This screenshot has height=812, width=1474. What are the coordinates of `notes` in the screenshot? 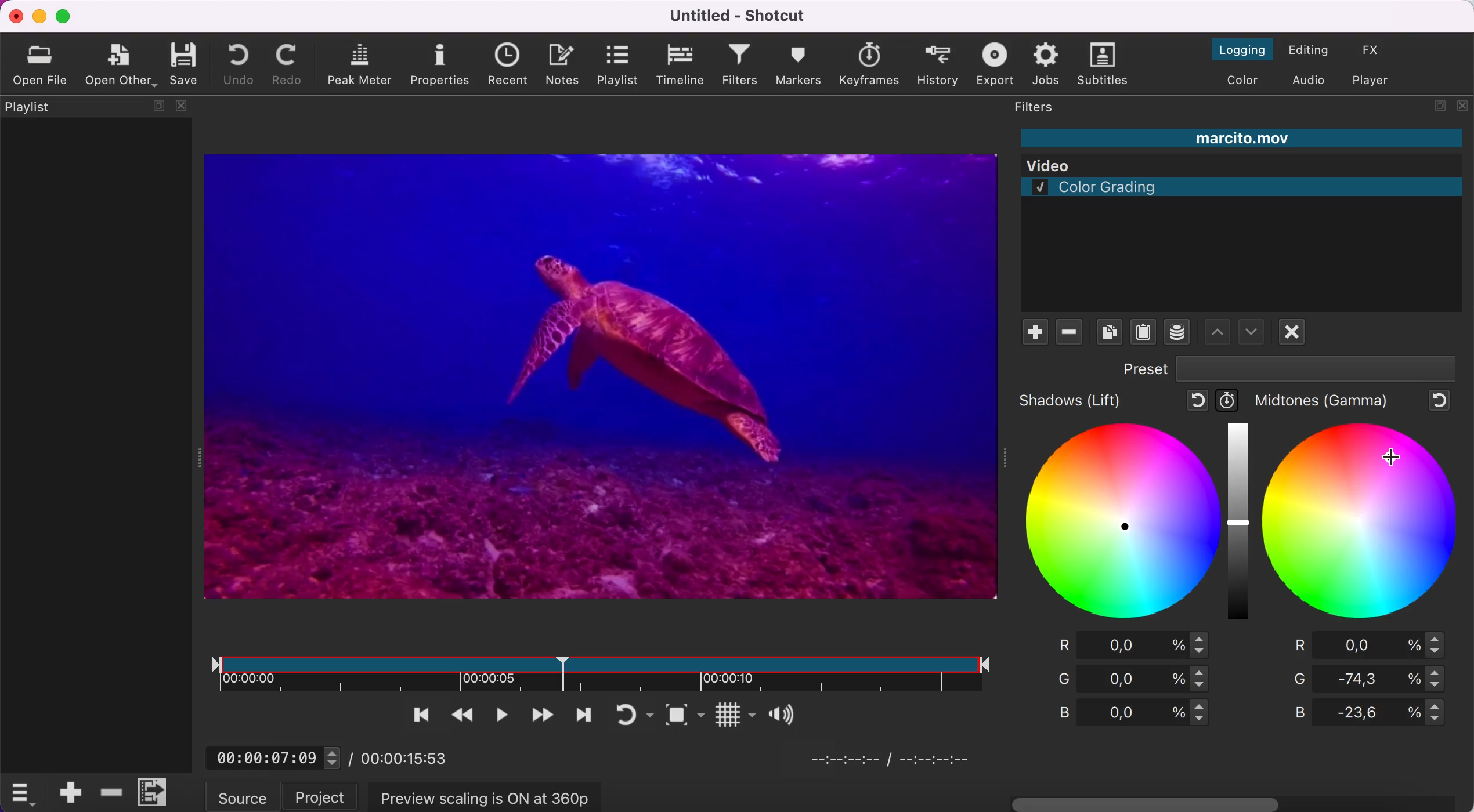 It's located at (566, 66).